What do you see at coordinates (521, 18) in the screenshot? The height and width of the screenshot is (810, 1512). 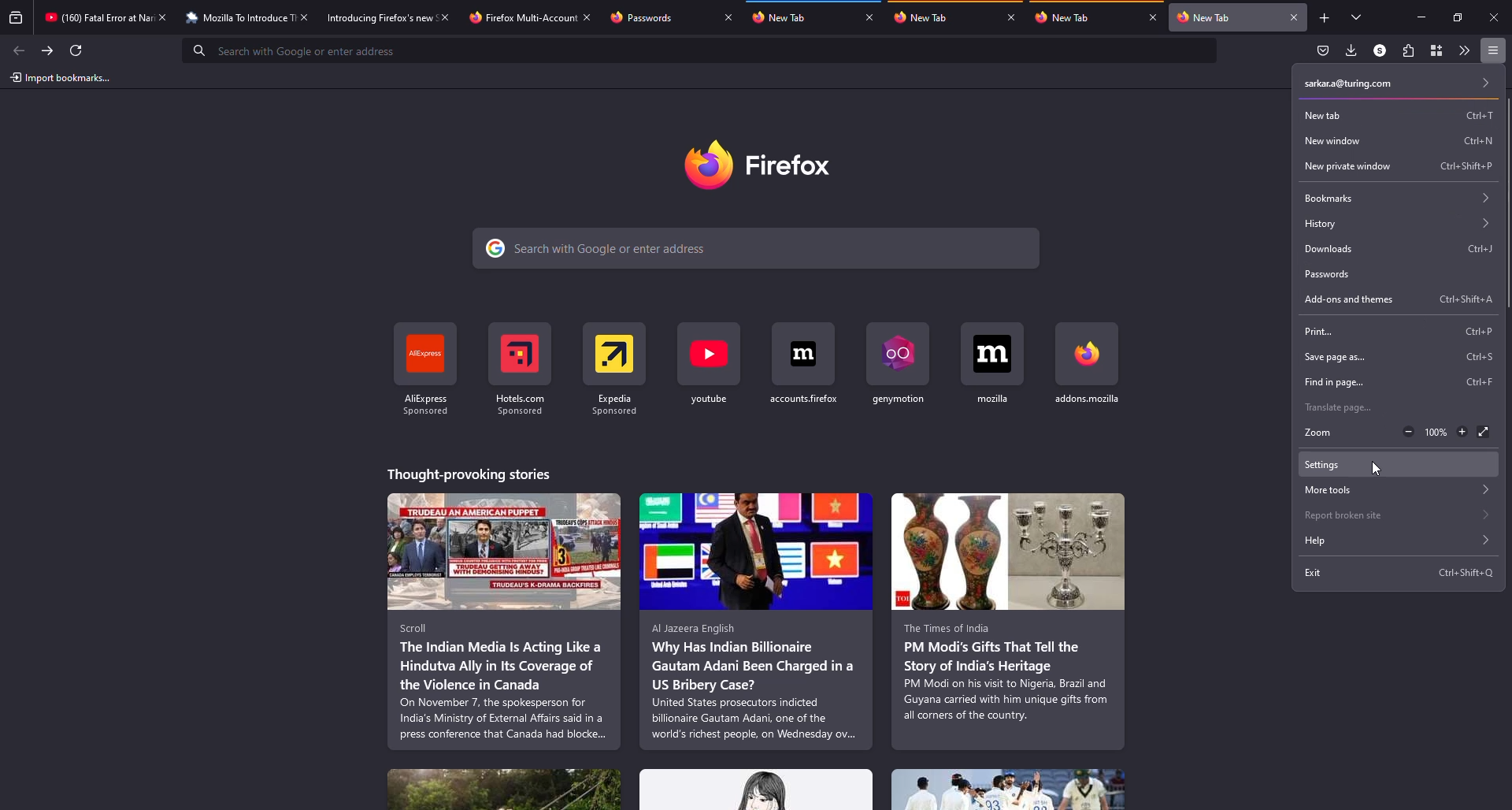 I see `tab` at bounding box center [521, 18].